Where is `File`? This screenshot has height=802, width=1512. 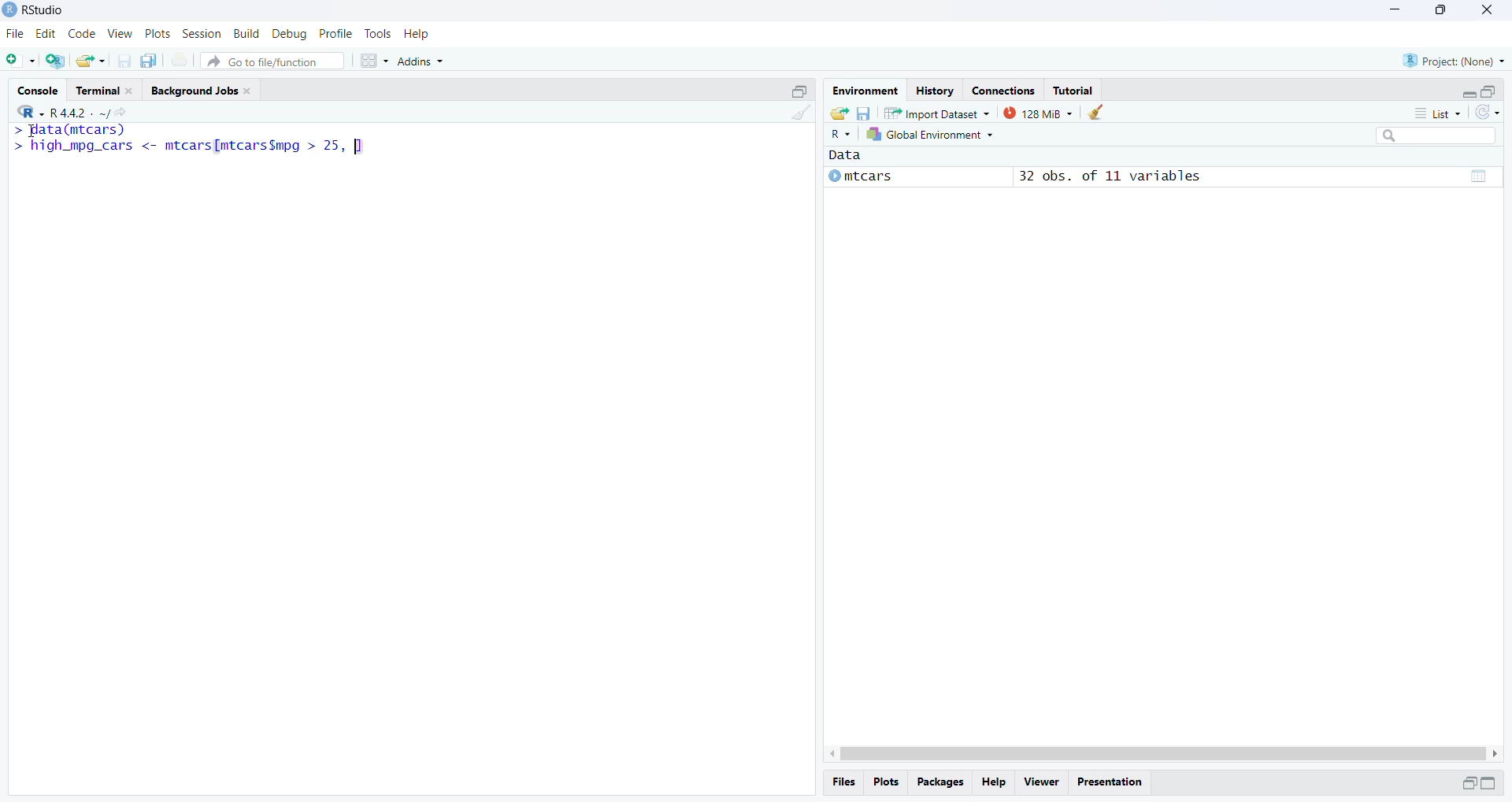 File is located at coordinates (17, 33).